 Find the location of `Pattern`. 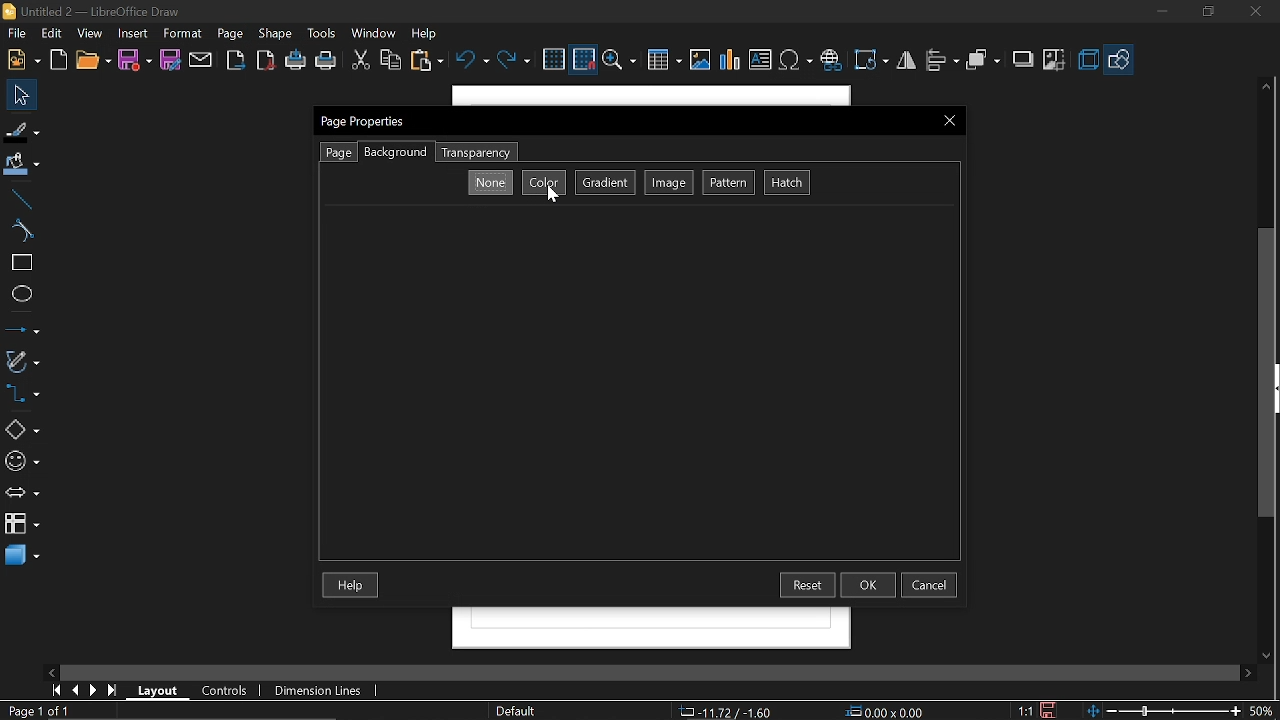

Pattern is located at coordinates (730, 184).